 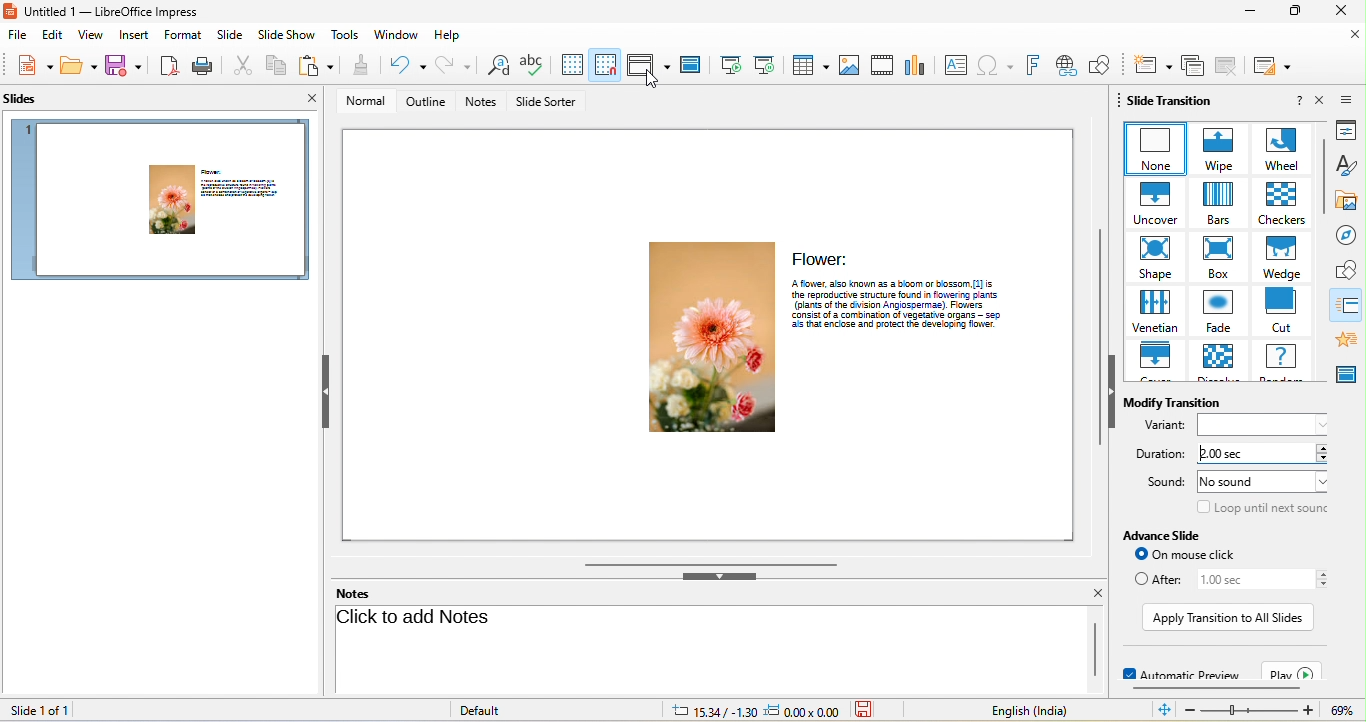 I want to click on no sound, so click(x=1264, y=481).